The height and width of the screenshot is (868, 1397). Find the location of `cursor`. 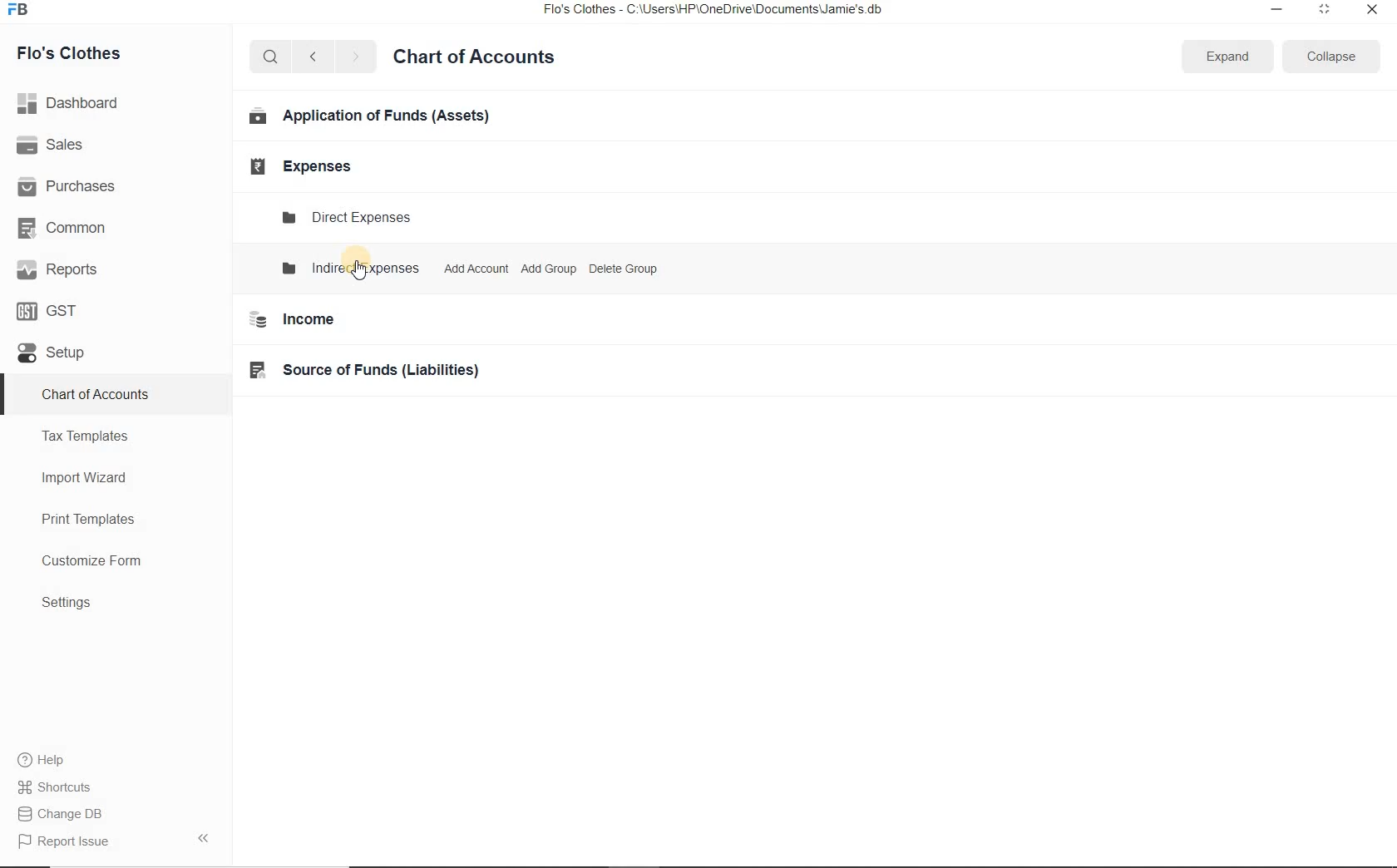

cursor is located at coordinates (360, 270).